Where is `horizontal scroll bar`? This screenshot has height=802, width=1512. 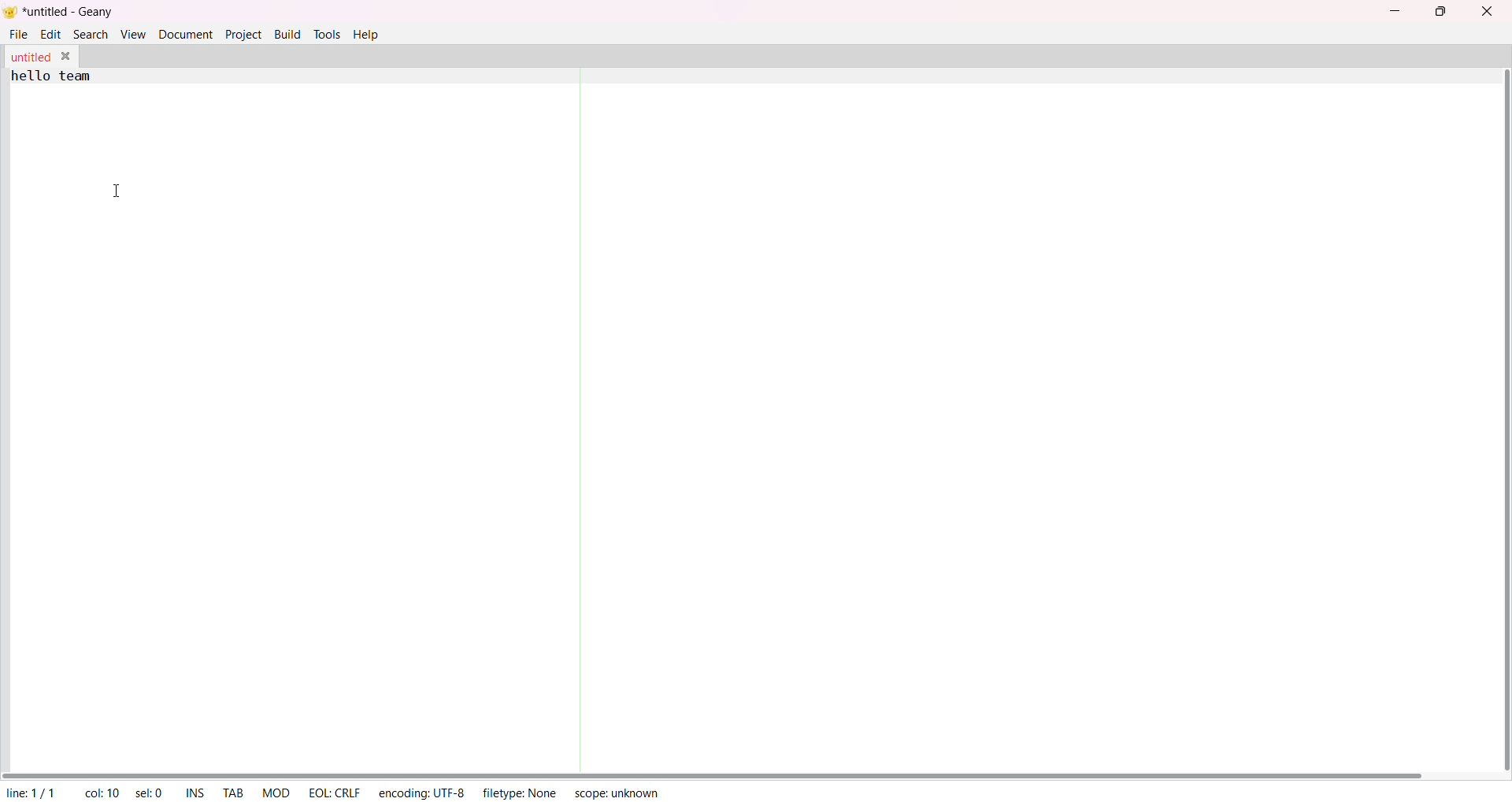
horizontal scroll bar is located at coordinates (739, 772).